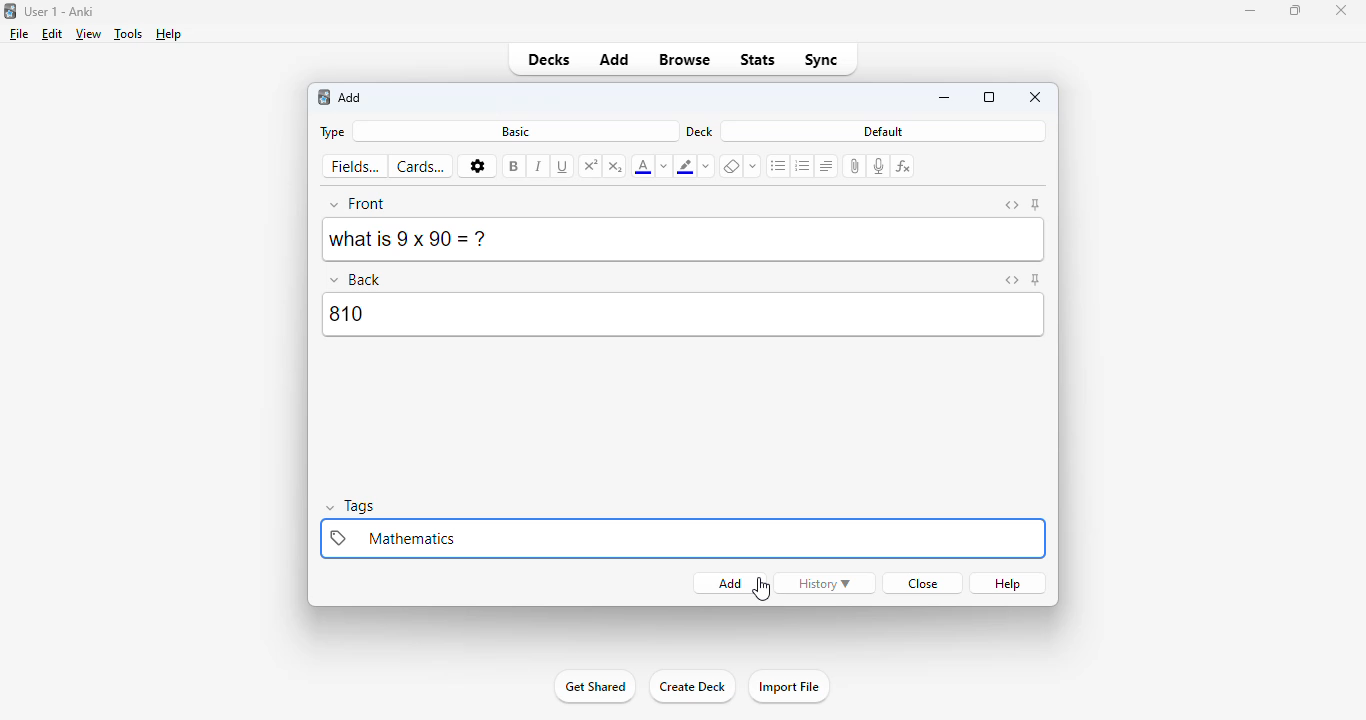  What do you see at coordinates (89, 33) in the screenshot?
I see `view` at bounding box center [89, 33].